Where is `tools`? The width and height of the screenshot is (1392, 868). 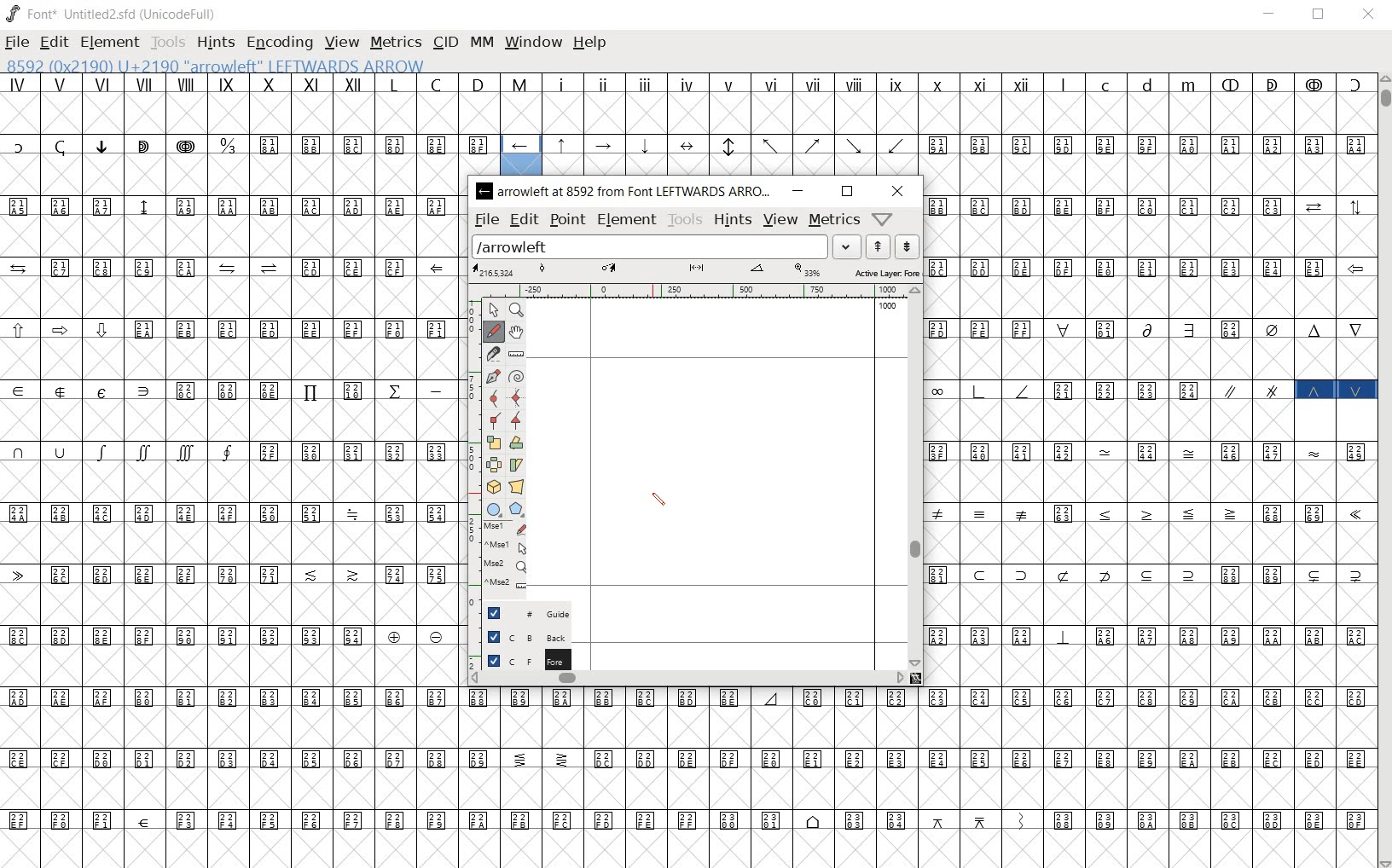 tools is located at coordinates (684, 219).